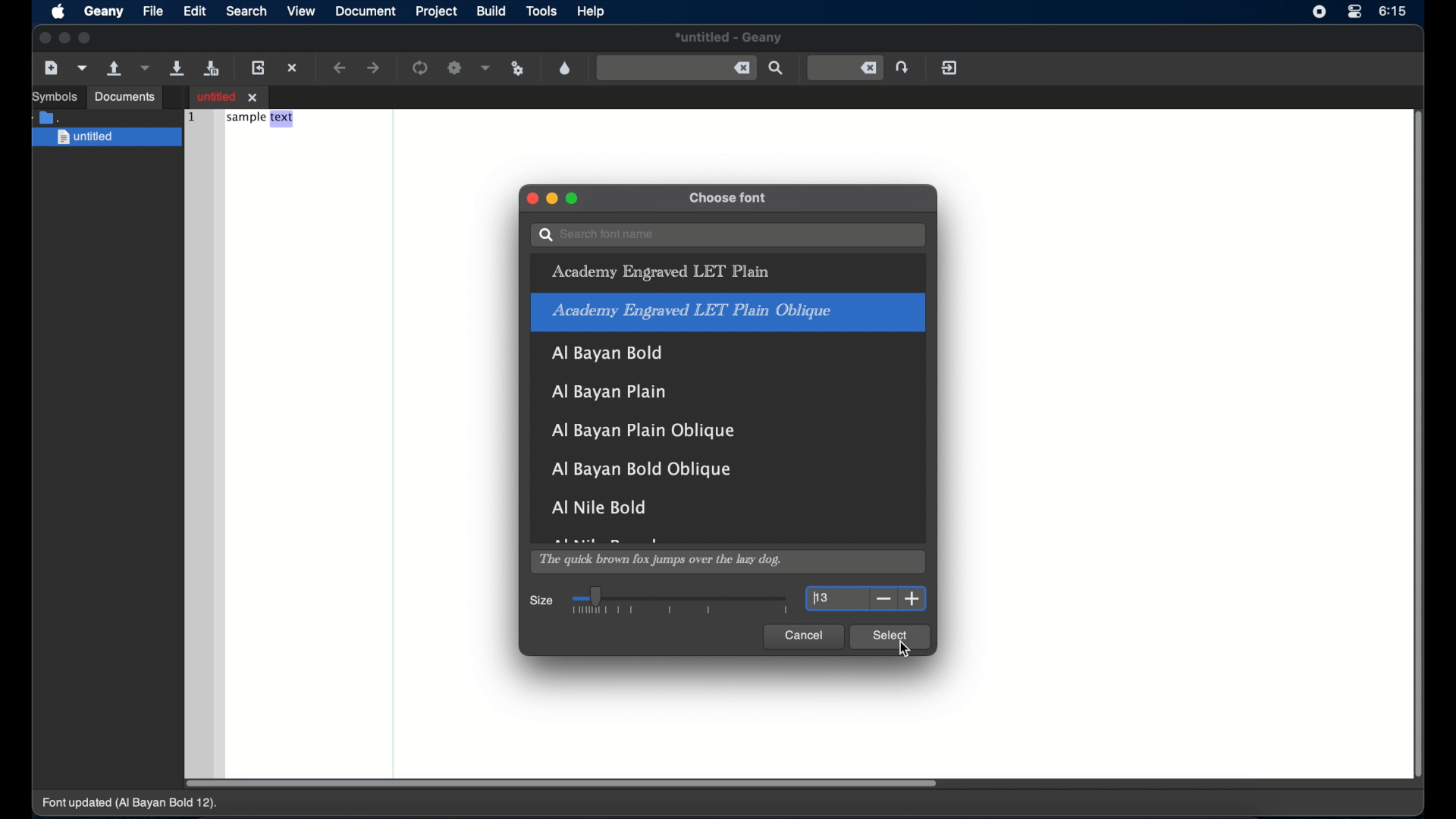 This screenshot has height=819, width=1456. What do you see at coordinates (55, 97) in the screenshot?
I see `symbols` at bounding box center [55, 97].